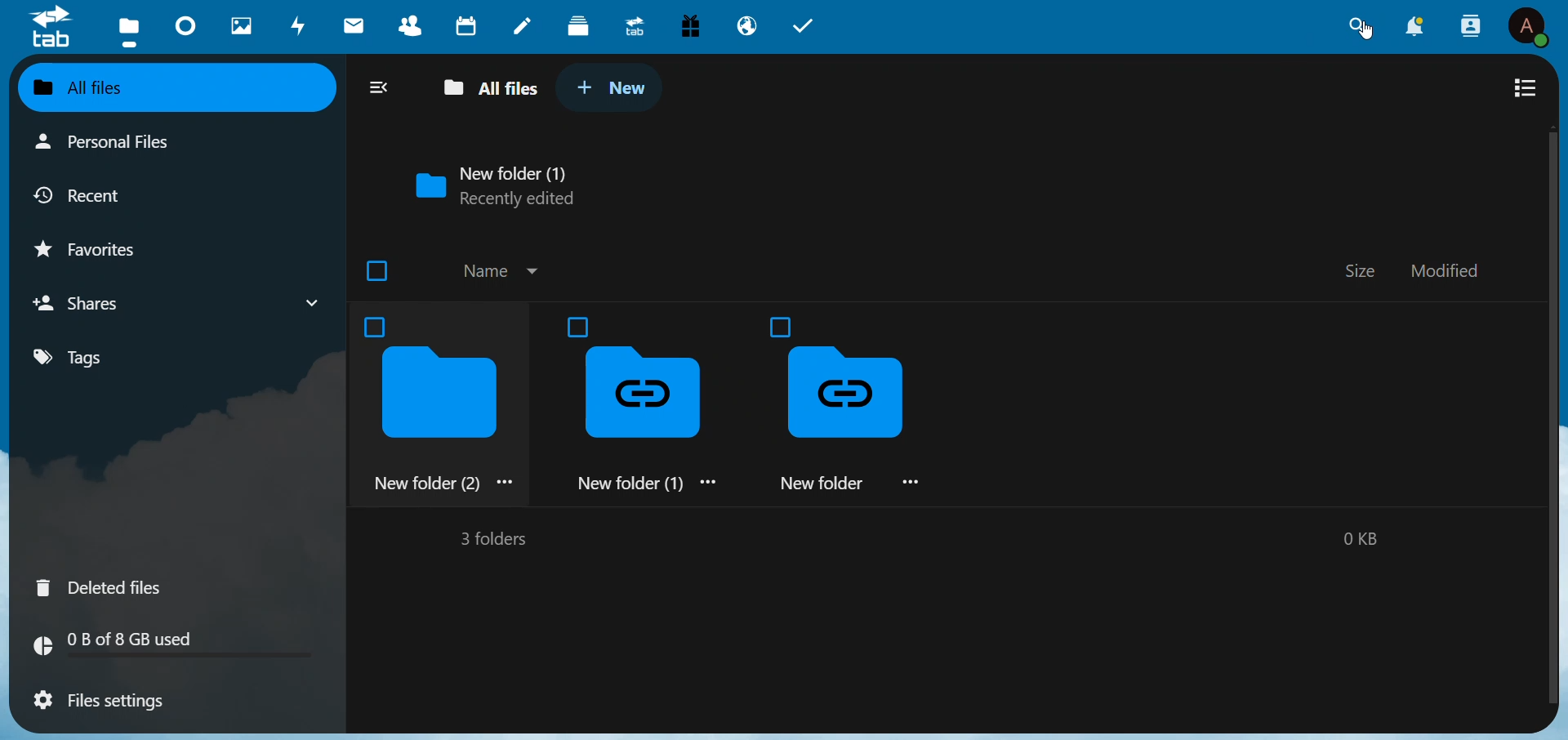 This screenshot has width=1568, height=740. Describe the element at coordinates (175, 302) in the screenshot. I see `shares` at that location.